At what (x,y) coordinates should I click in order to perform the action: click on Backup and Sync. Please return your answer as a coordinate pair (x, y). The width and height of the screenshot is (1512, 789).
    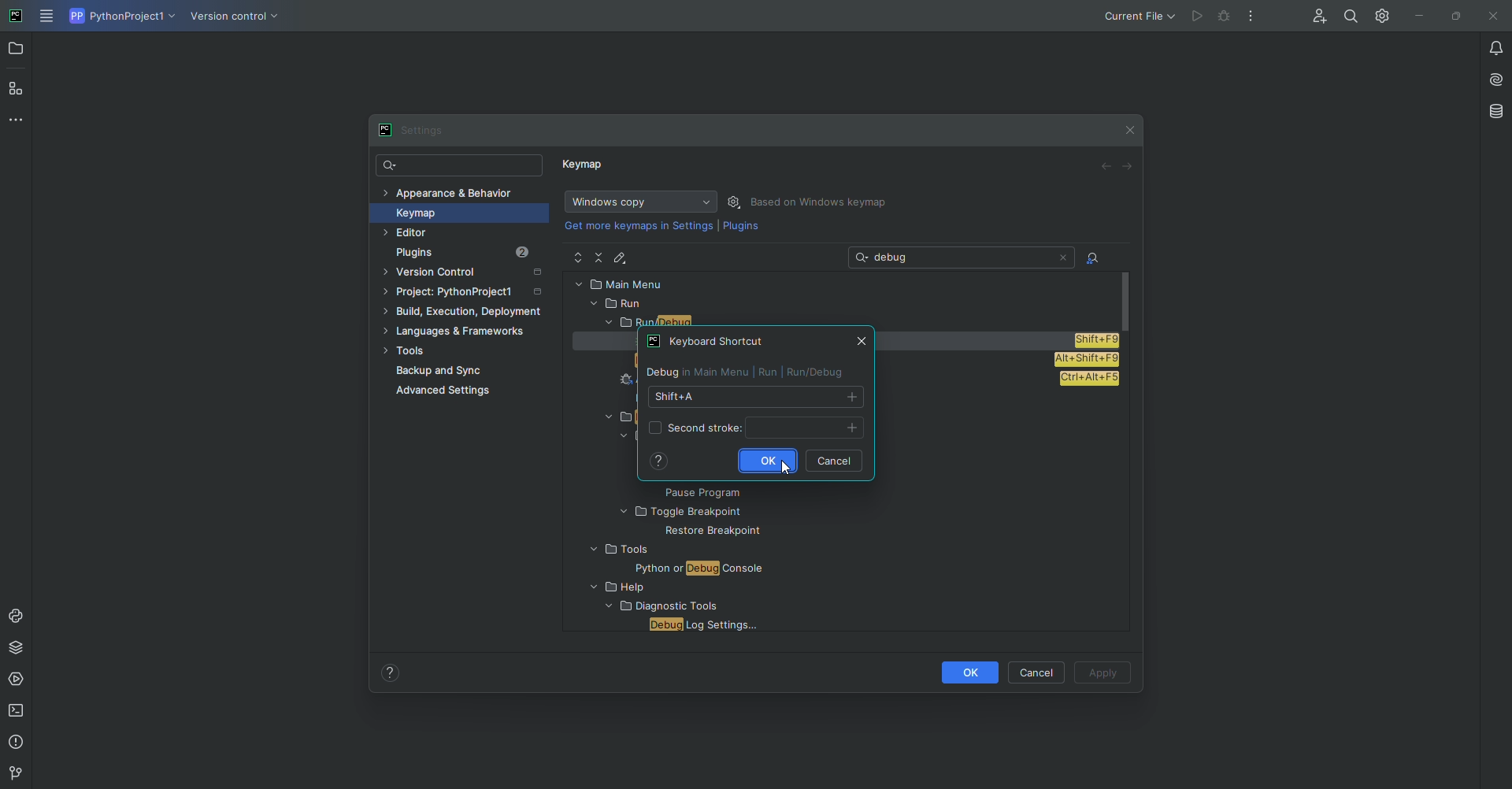
    Looking at the image, I should click on (471, 371).